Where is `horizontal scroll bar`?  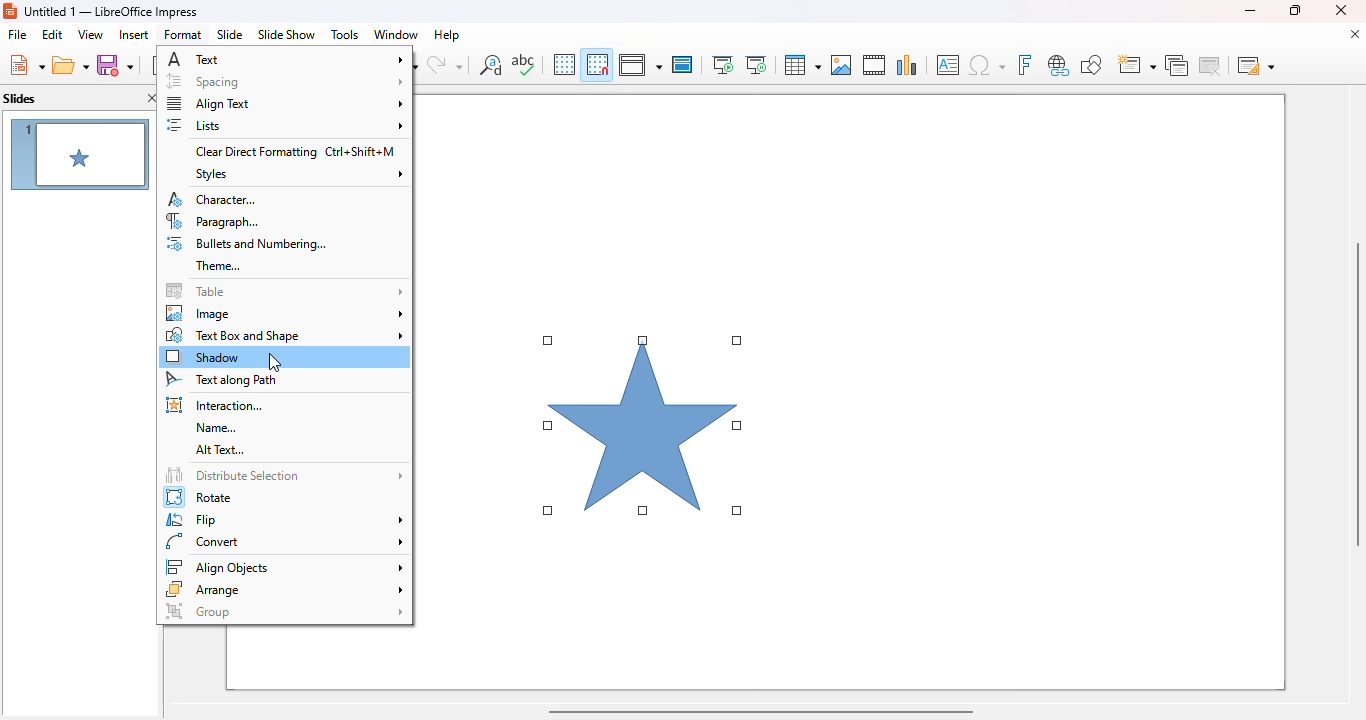
horizontal scroll bar is located at coordinates (759, 710).